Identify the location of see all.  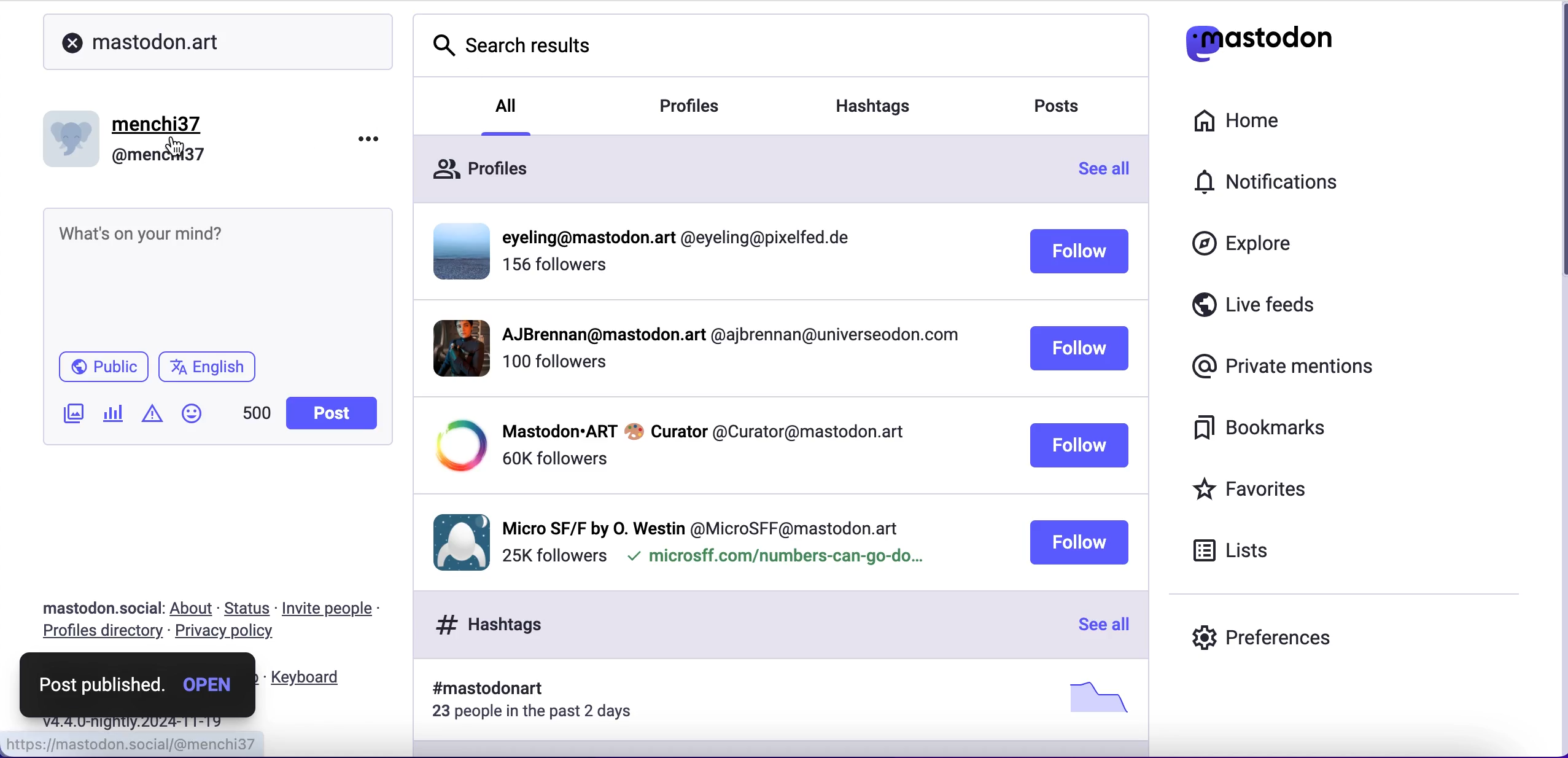
(1098, 166).